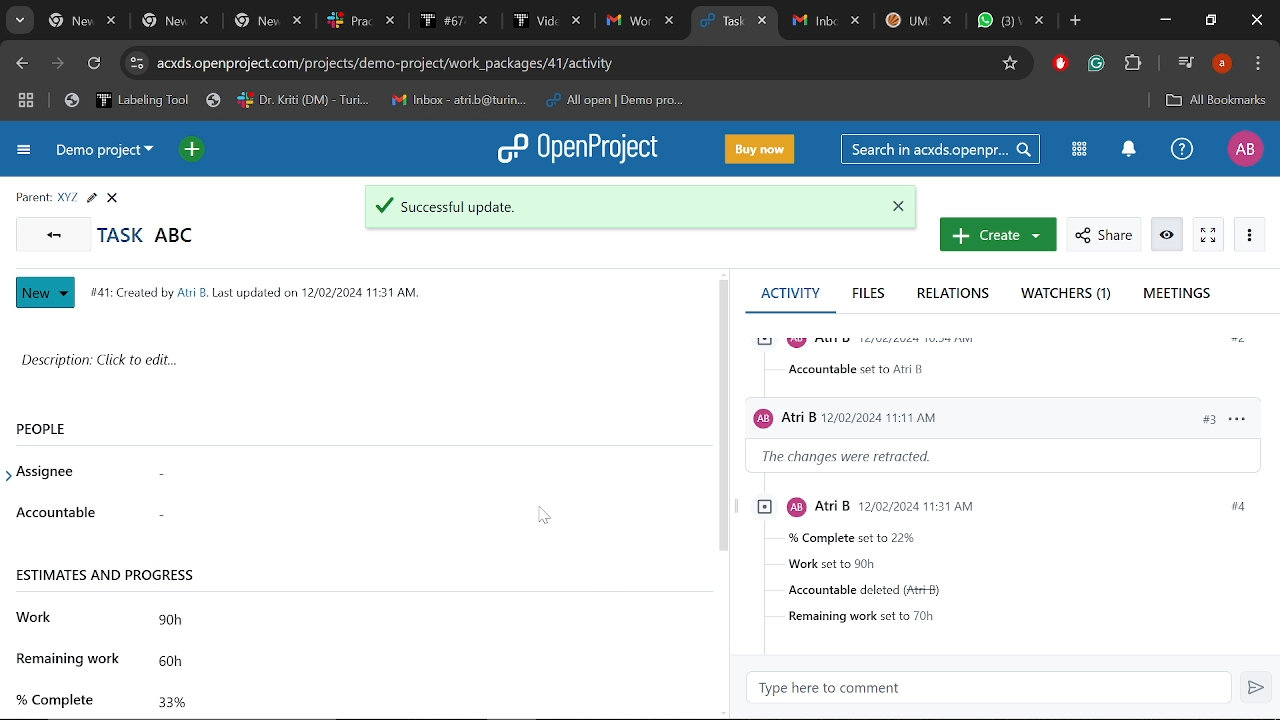  Describe the element at coordinates (1212, 22) in the screenshot. I see `Restore down` at that location.